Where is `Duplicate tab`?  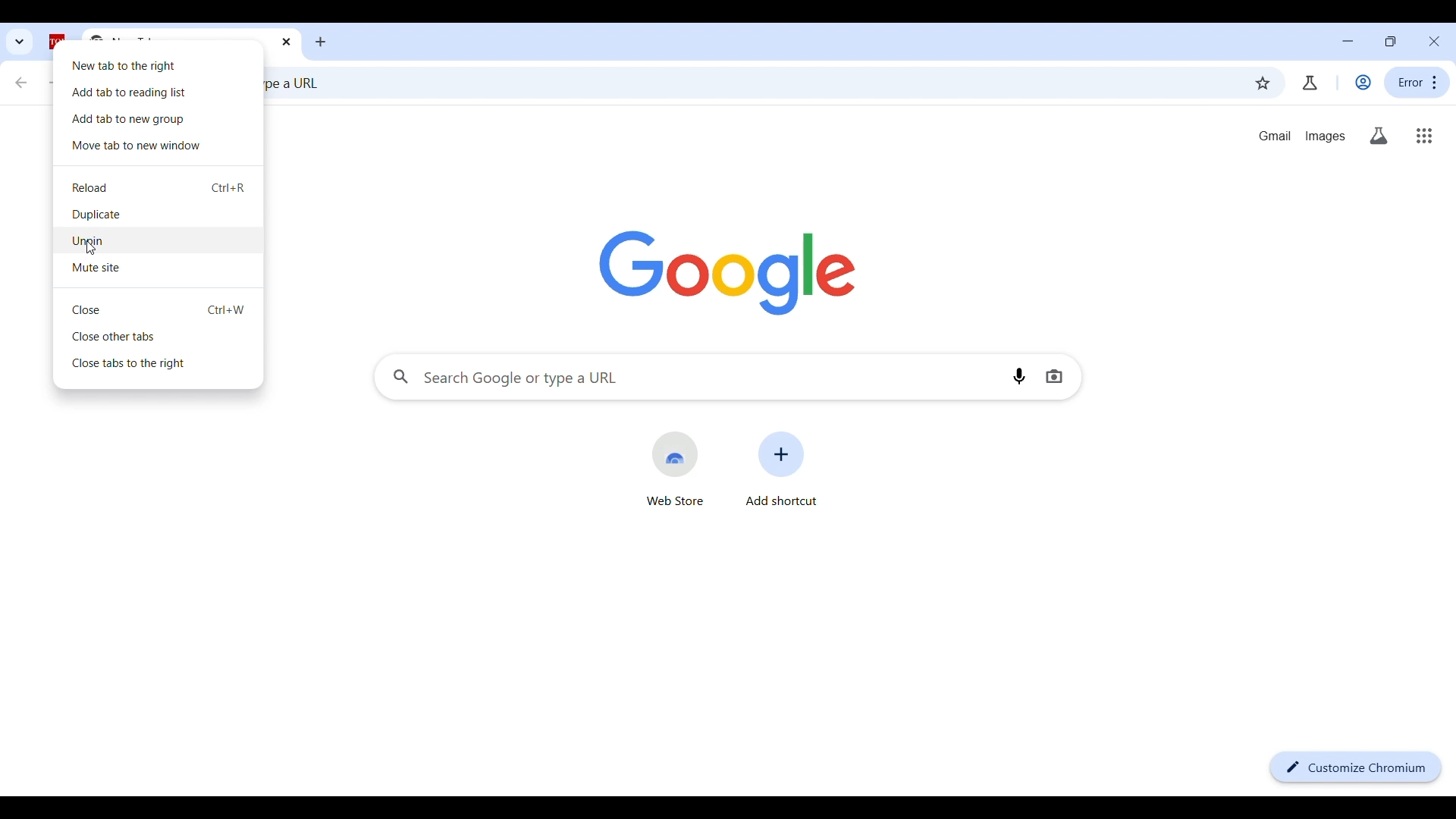 Duplicate tab is located at coordinates (160, 215).